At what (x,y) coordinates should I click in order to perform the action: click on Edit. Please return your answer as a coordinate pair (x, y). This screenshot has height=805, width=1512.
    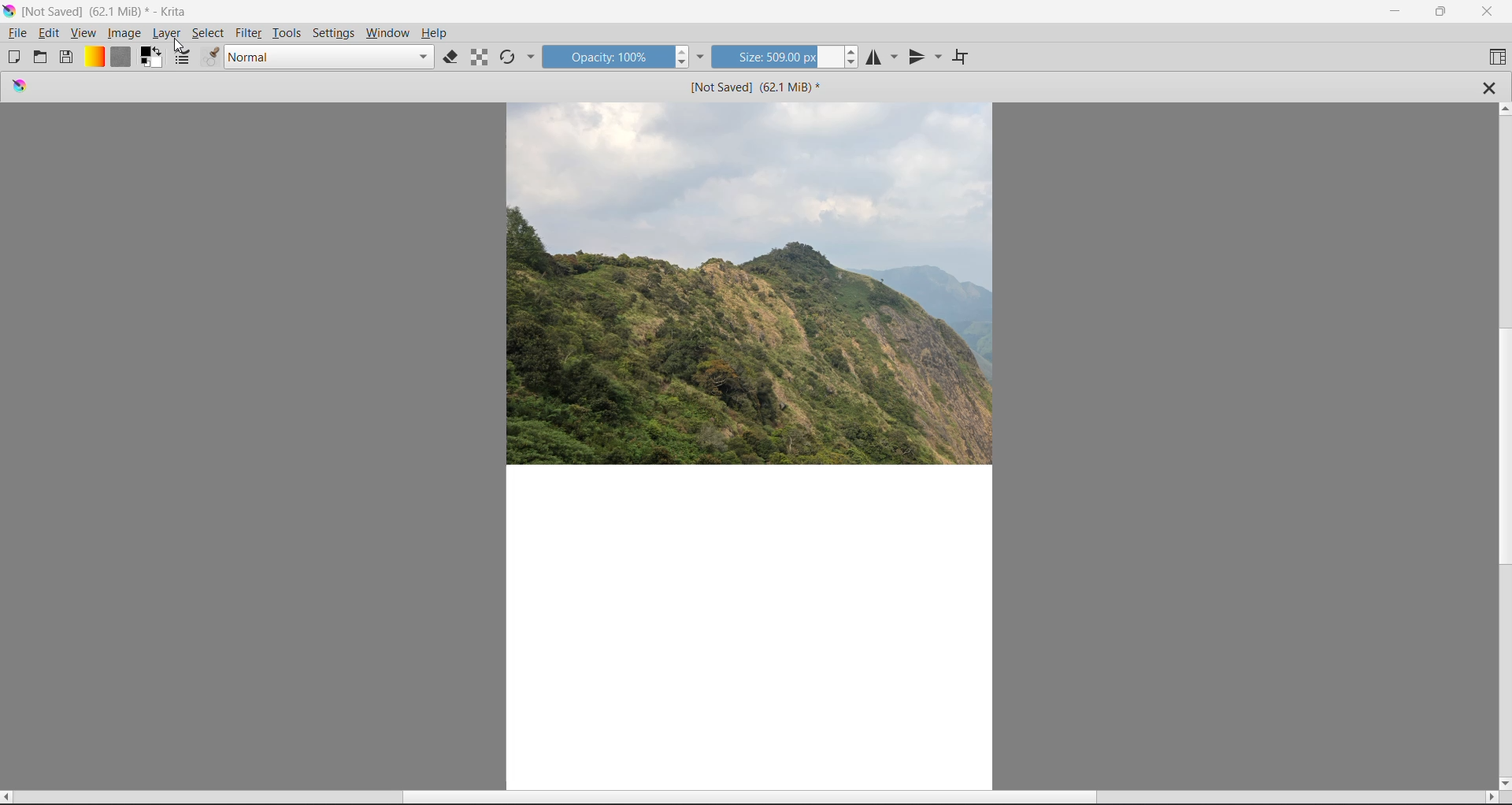
    Looking at the image, I should click on (50, 33).